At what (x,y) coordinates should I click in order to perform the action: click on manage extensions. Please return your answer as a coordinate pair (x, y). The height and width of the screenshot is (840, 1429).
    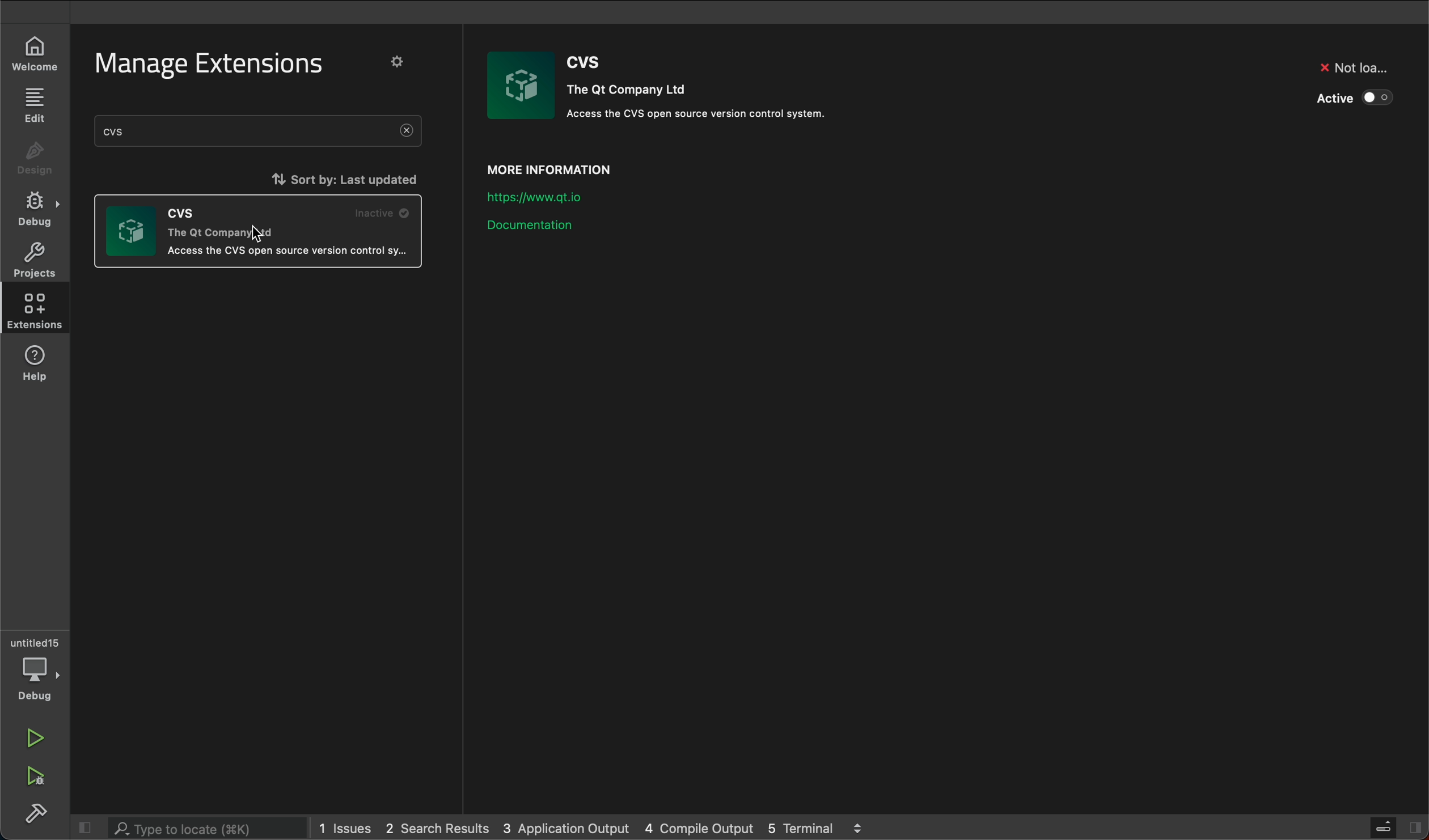
    Looking at the image, I should click on (222, 64).